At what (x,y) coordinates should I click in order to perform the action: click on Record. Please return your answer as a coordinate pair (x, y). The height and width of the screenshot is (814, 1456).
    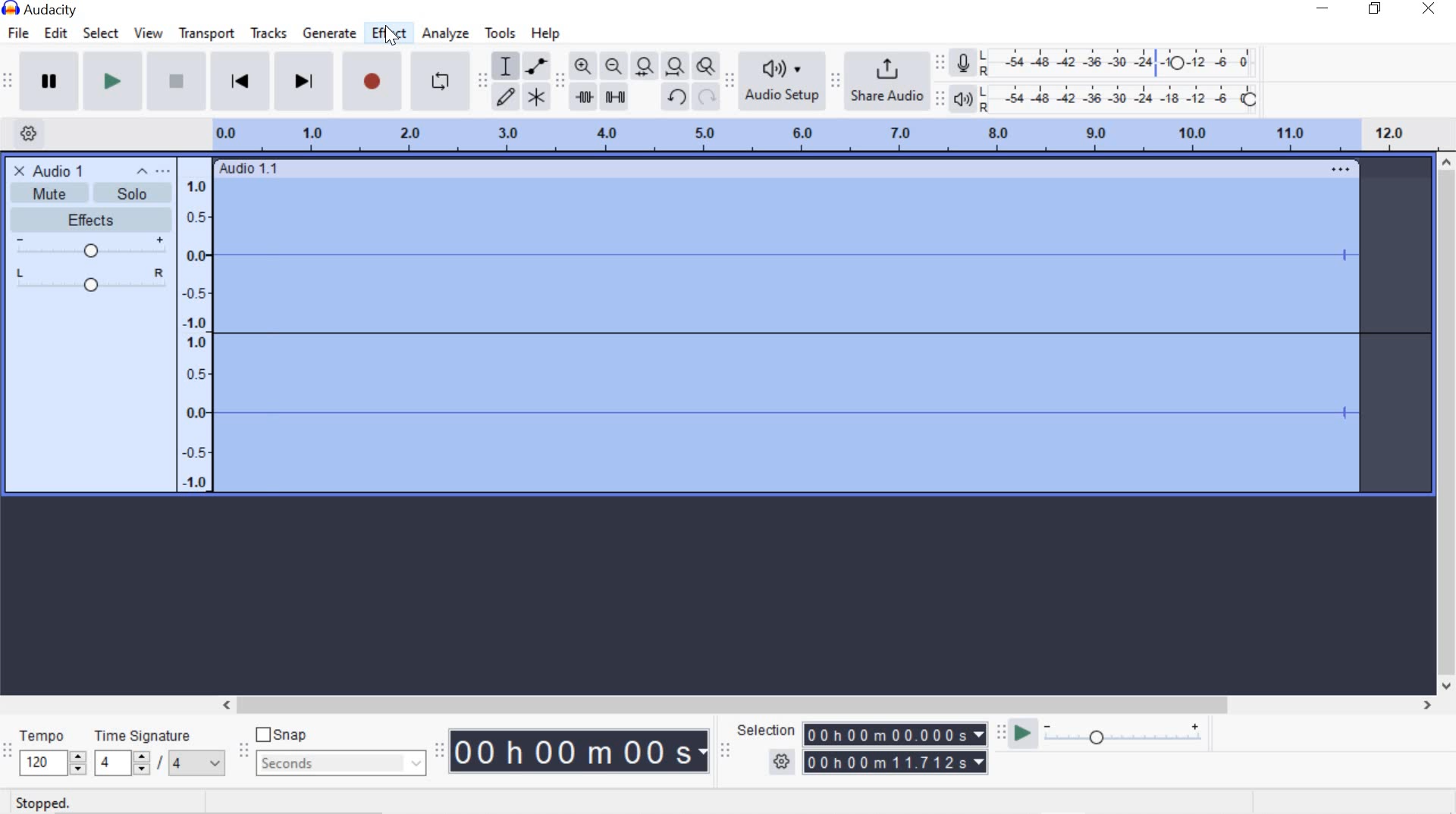
    Looking at the image, I should click on (370, 85).